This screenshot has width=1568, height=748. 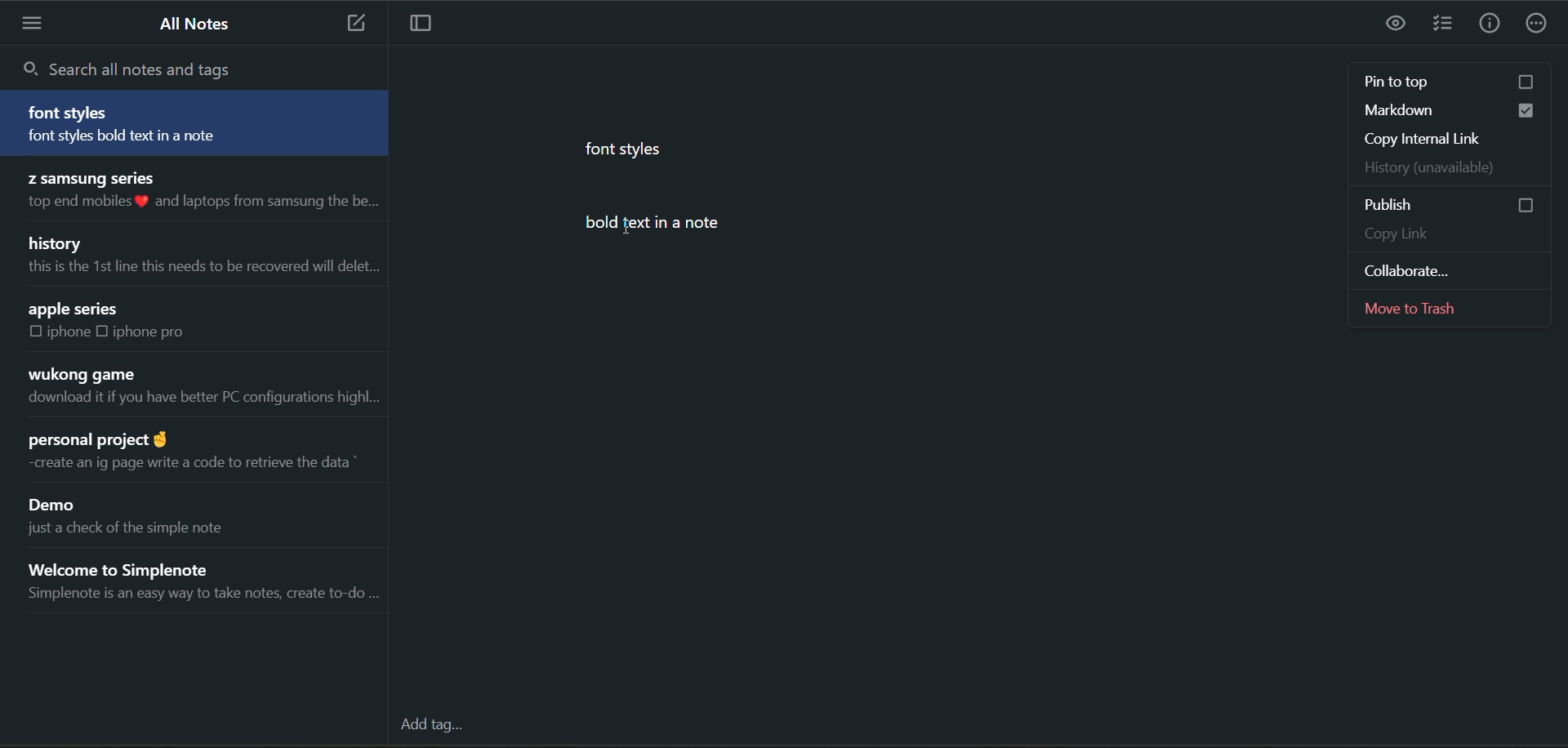 I want to click on Welcome to Simplenote, so click(x=143, y=566).